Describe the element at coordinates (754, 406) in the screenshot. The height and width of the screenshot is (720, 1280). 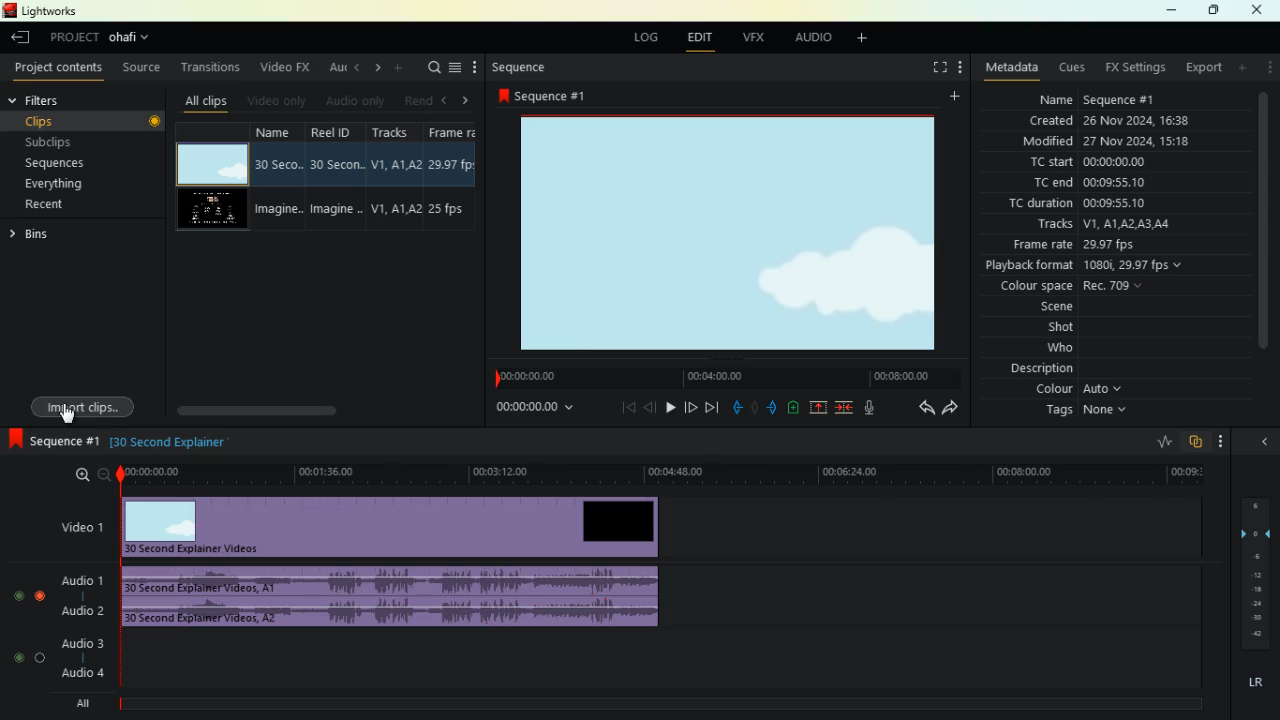
I see `hold` at that location.